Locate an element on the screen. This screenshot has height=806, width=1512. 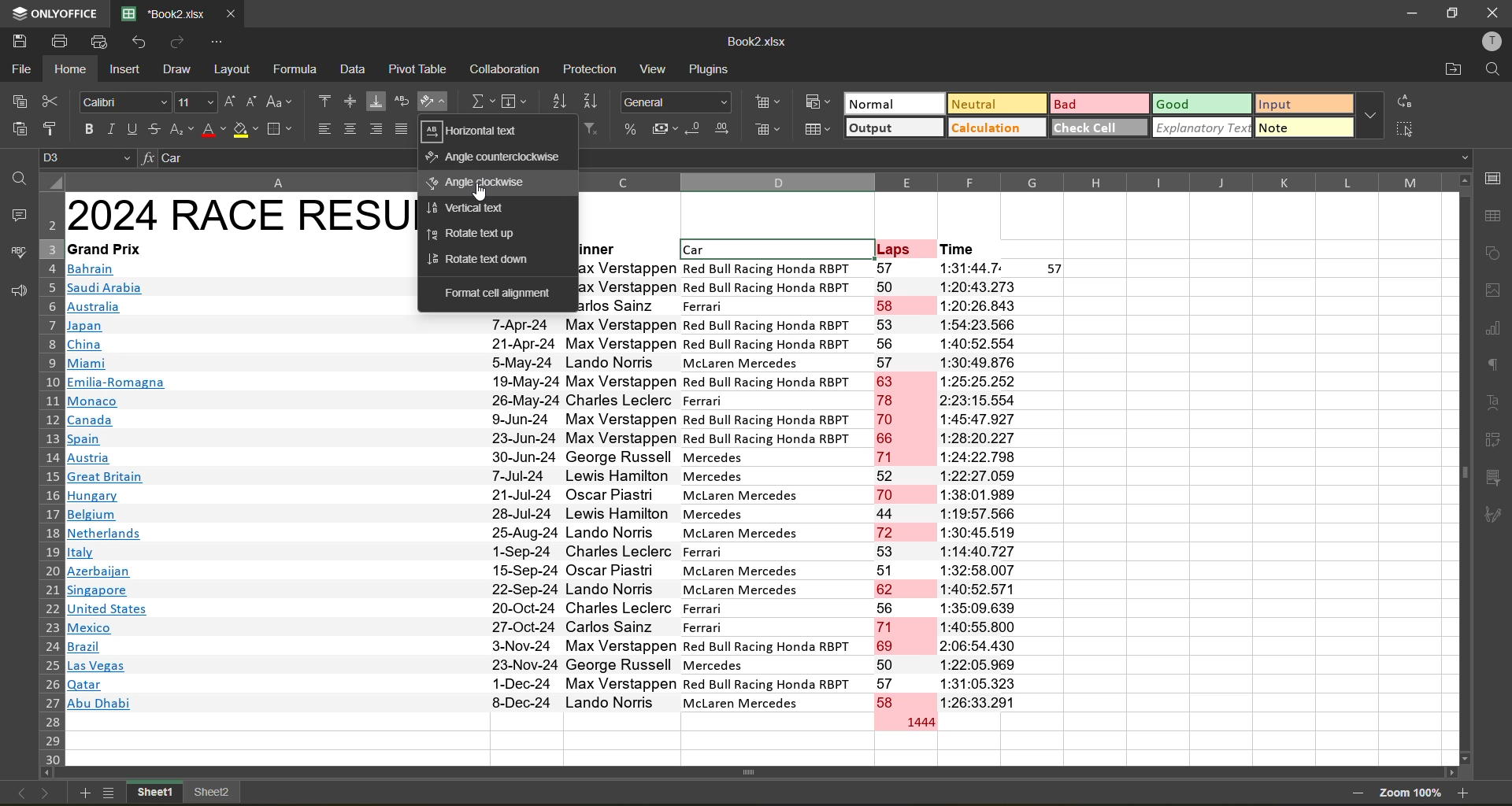
align right is located at coordinates (376, 129).